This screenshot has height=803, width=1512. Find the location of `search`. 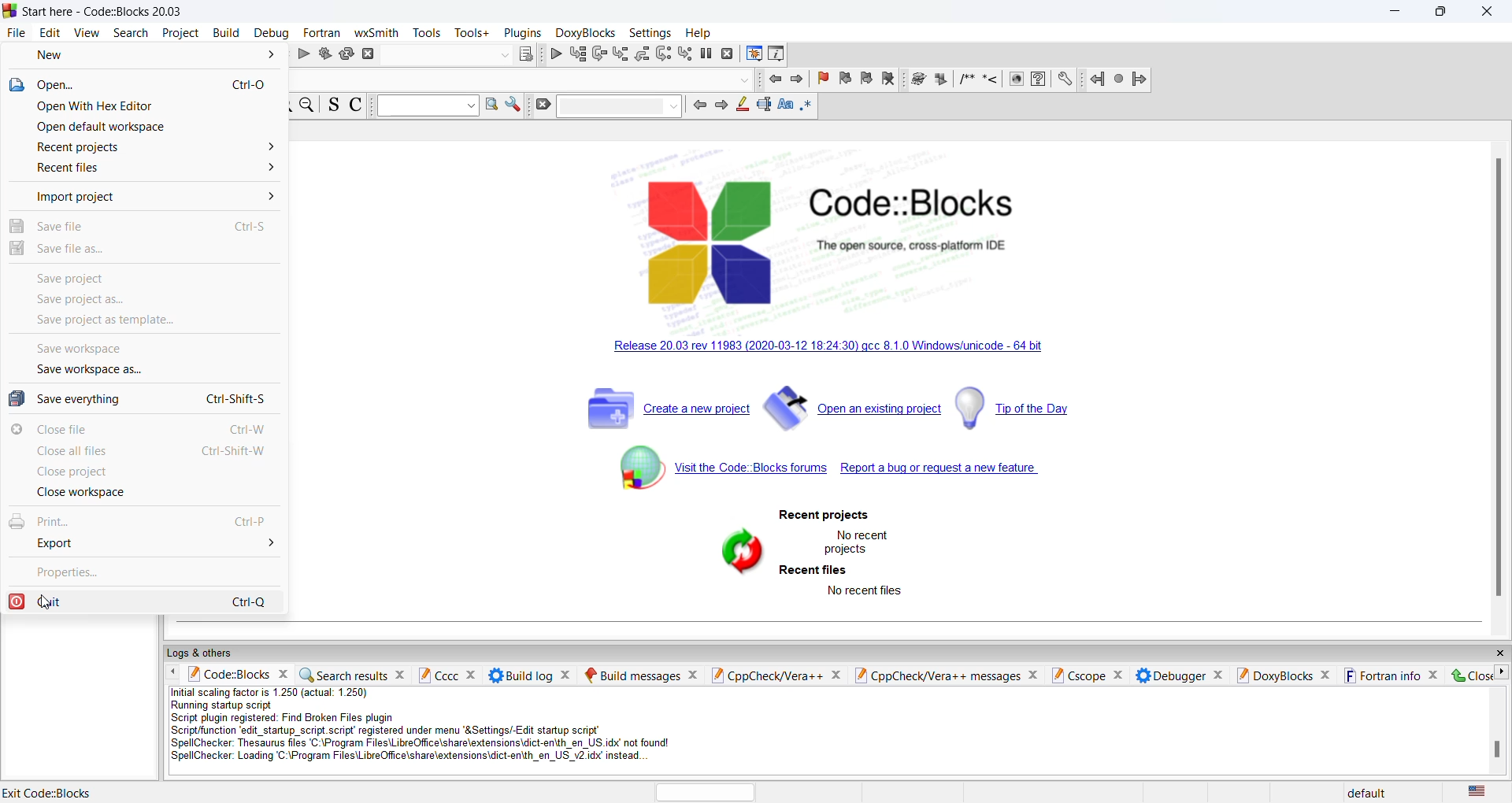

search is located at coordinates (129, 34).